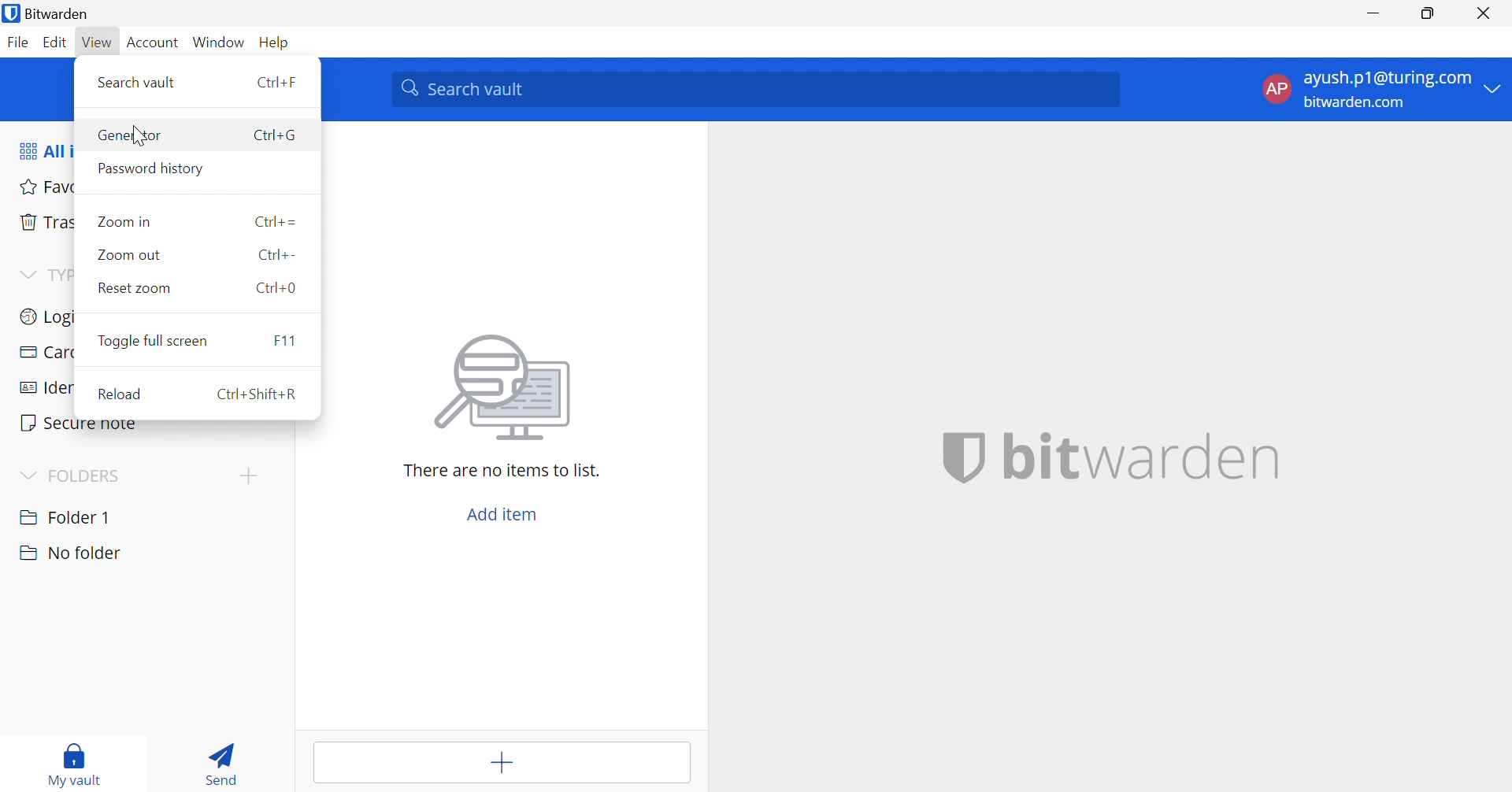 This screenshot has width=1512, height=792. I want to click on Restore Down, so click(1429, 13).